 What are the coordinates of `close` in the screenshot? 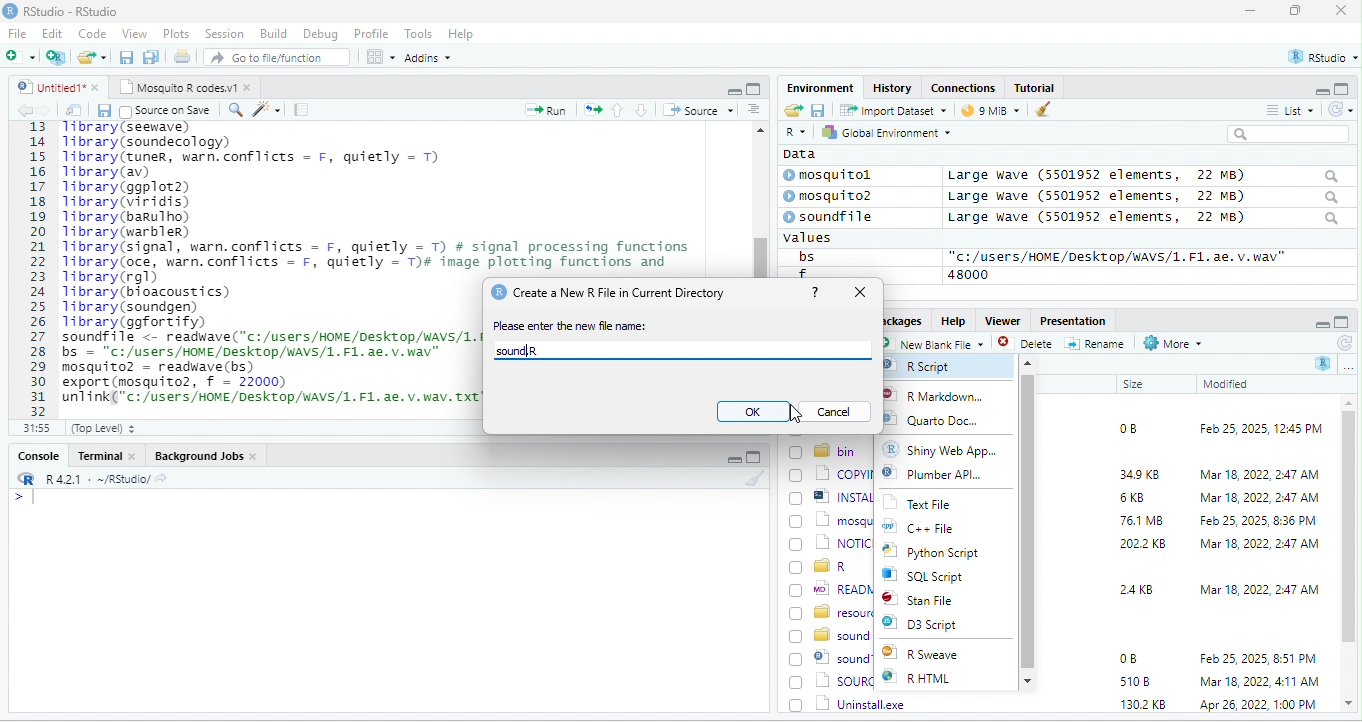 It's located at (1341, 12).